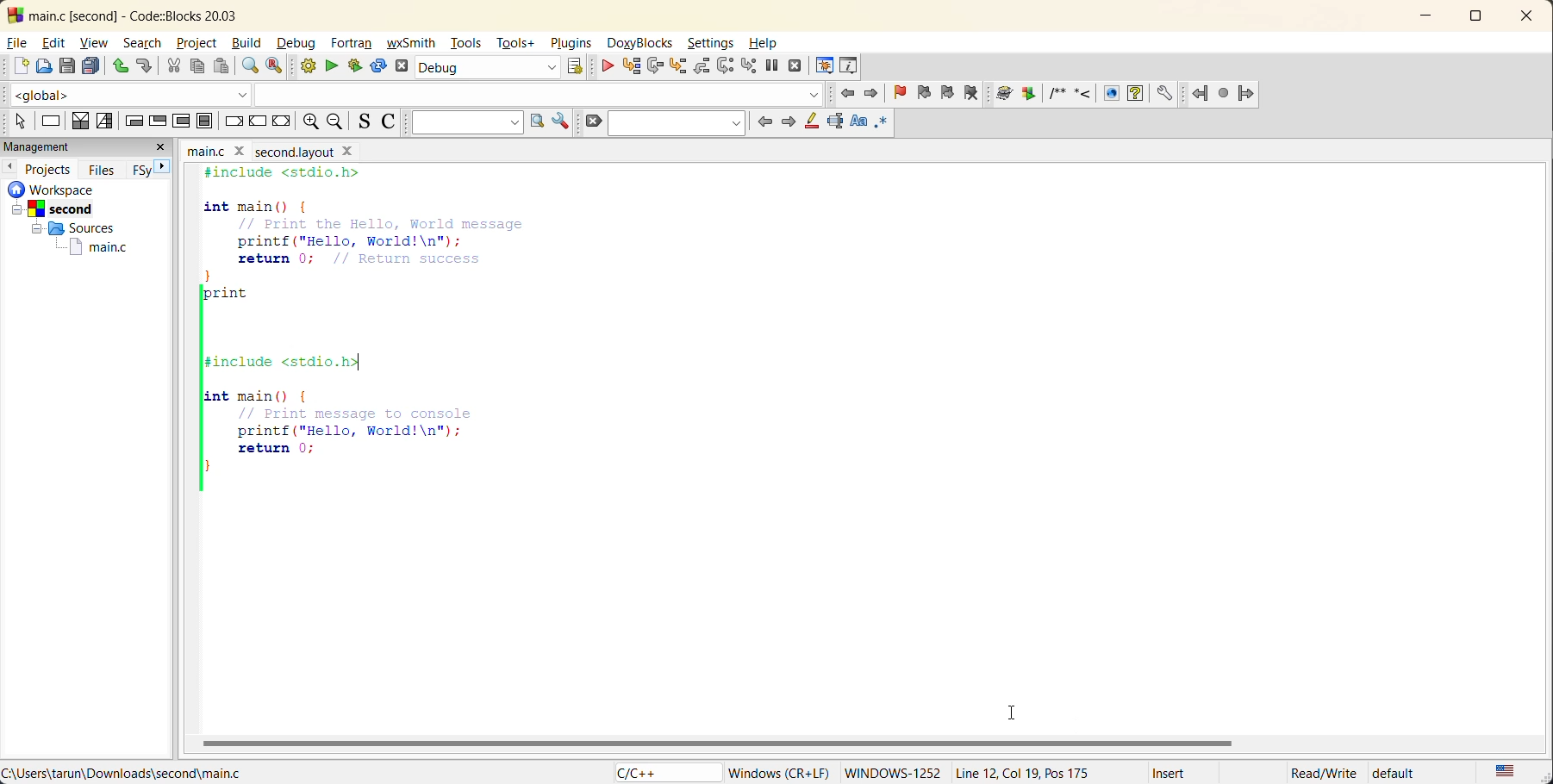  Describe the element at coordinates (155, 121) in the screenshot. I see `exit condition loop` at that location.